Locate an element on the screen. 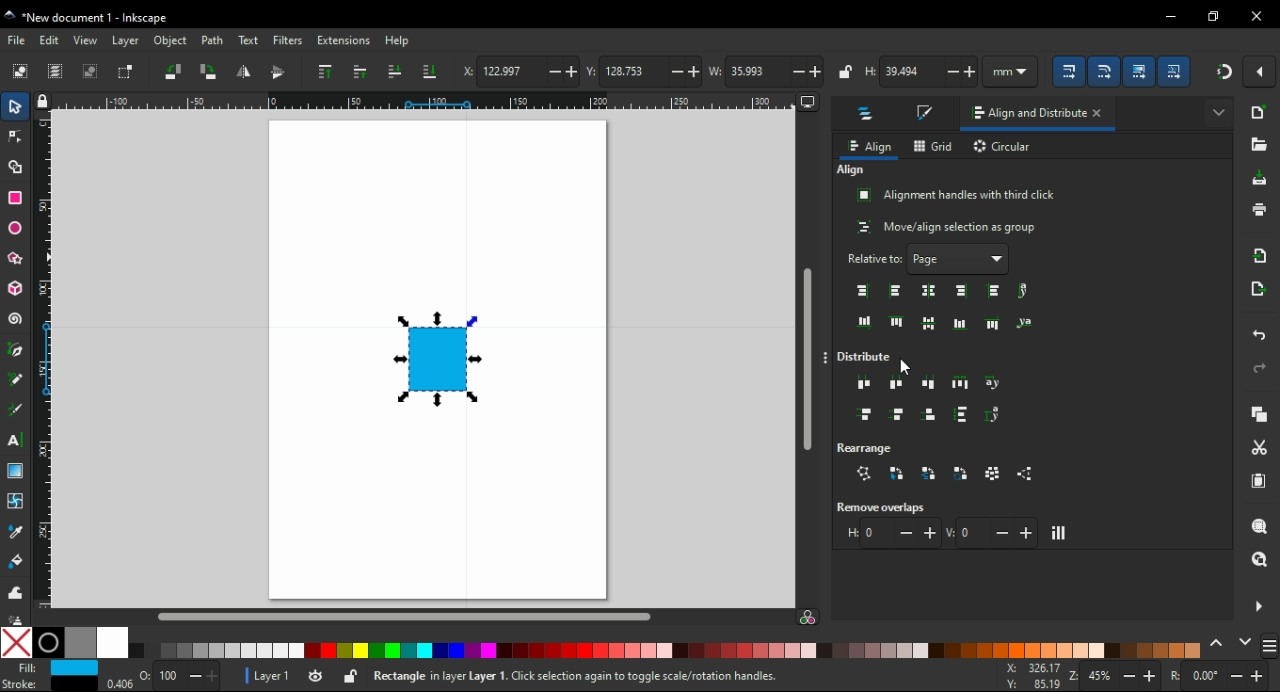 The width and height of the screenshot is (1280, 692). selected object unlocked is located at coordinates (351, 676).